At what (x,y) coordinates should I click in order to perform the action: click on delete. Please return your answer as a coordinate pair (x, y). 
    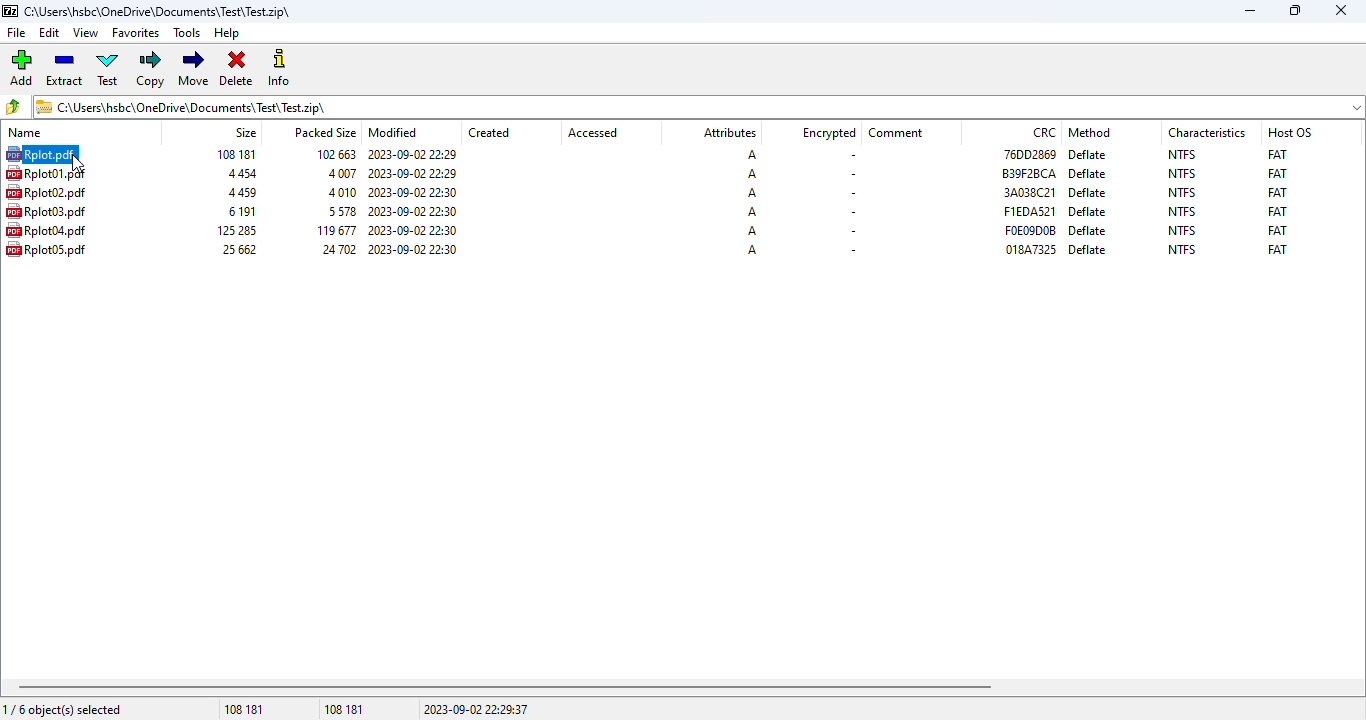
    Looking at the image, I should click on (236, 69).